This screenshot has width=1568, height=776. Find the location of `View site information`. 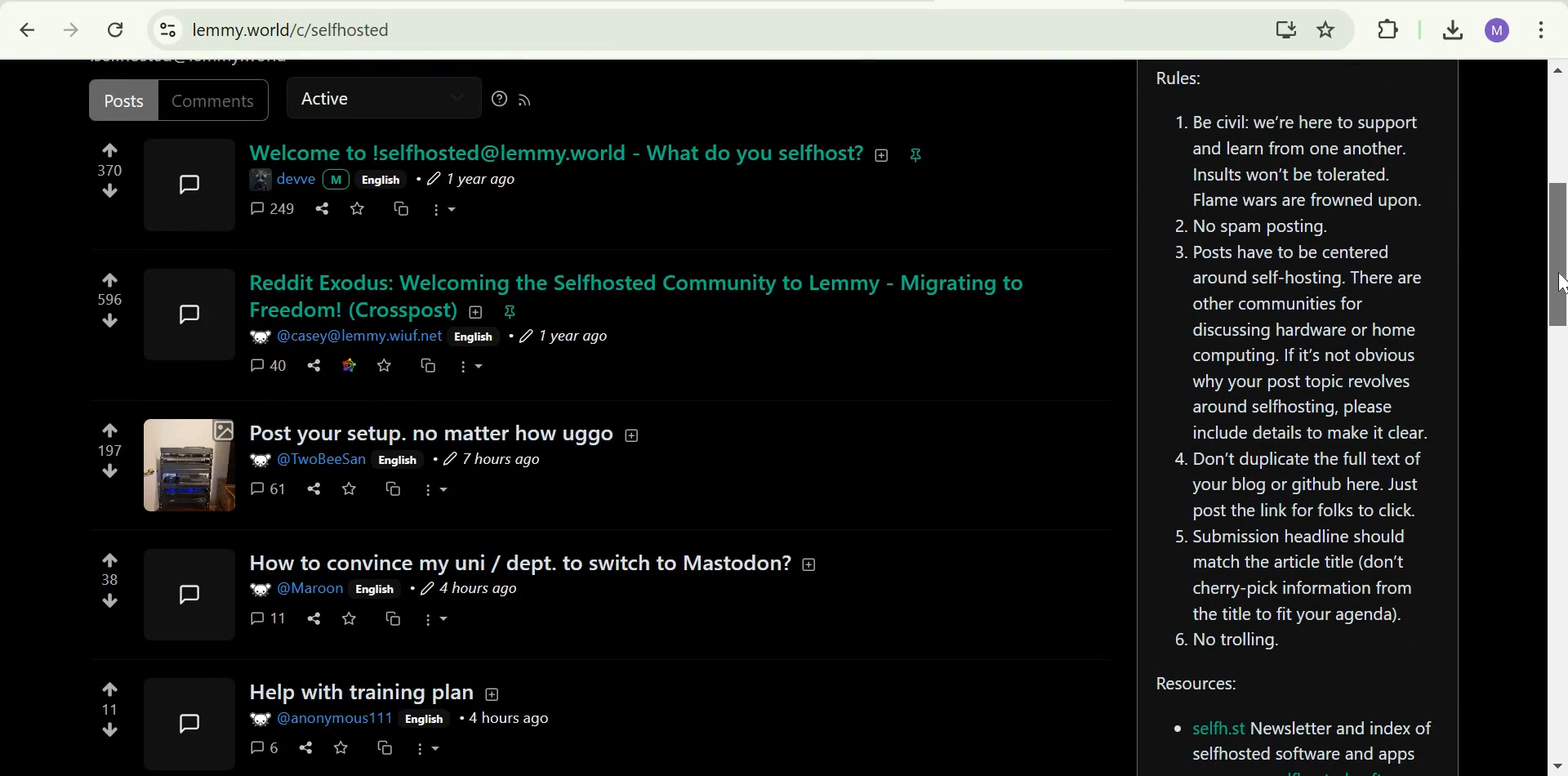

View site information is located at coordinates (168, 30).